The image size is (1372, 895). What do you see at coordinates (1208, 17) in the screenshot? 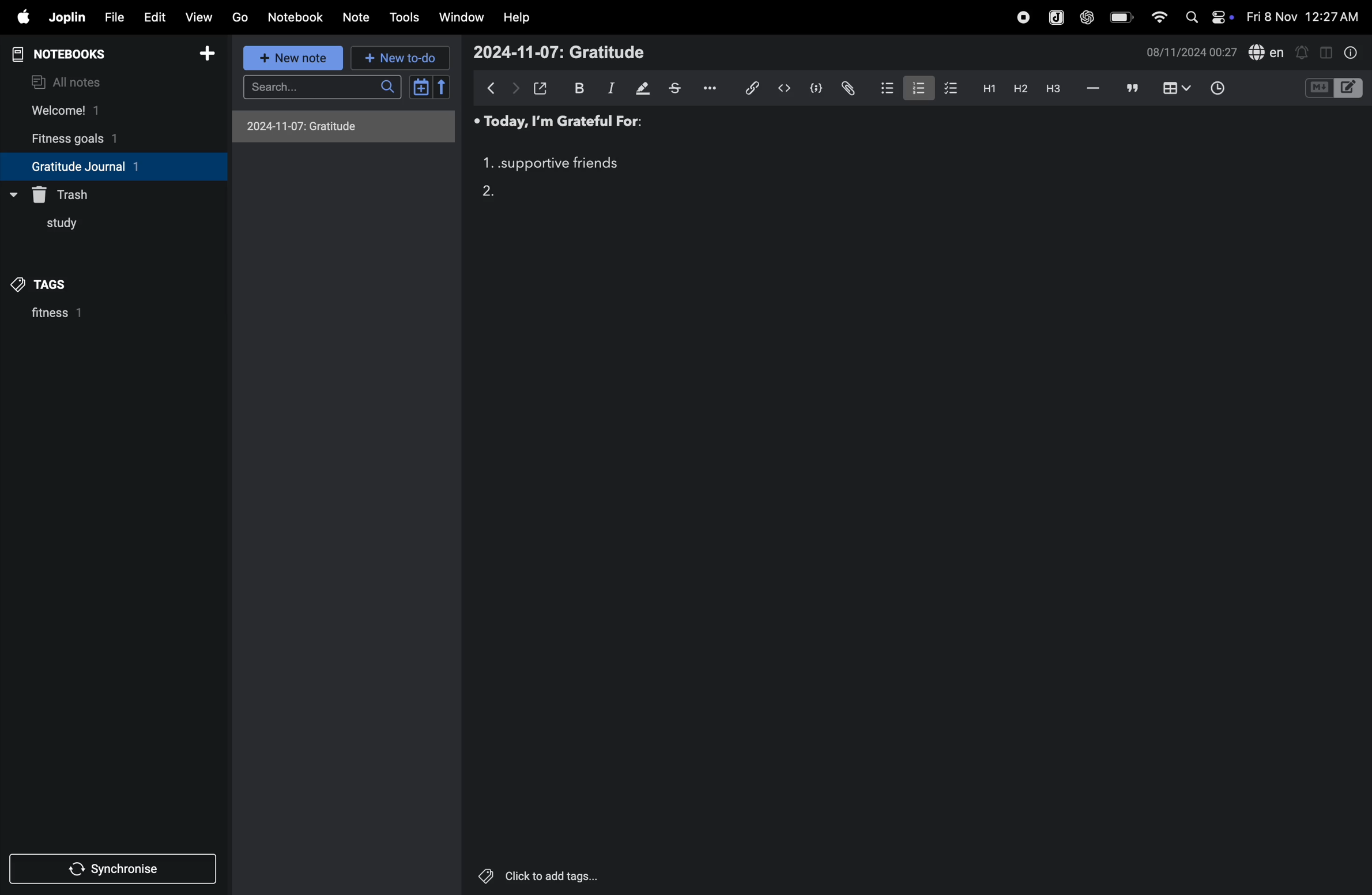
I see `apple widgets` at bounding box center [1208, 17].